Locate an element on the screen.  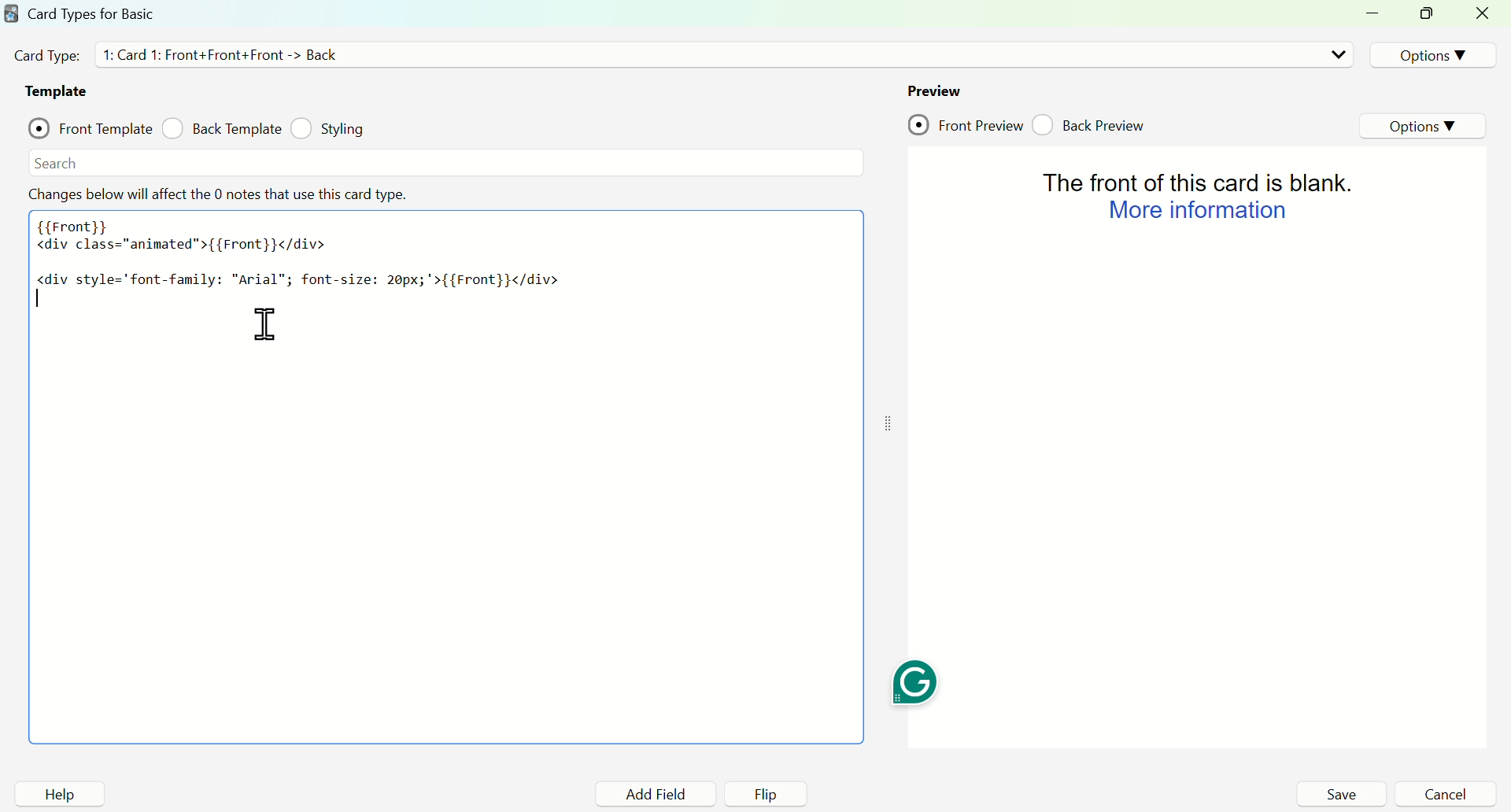
back preview is located at coordinates (1093, 124).